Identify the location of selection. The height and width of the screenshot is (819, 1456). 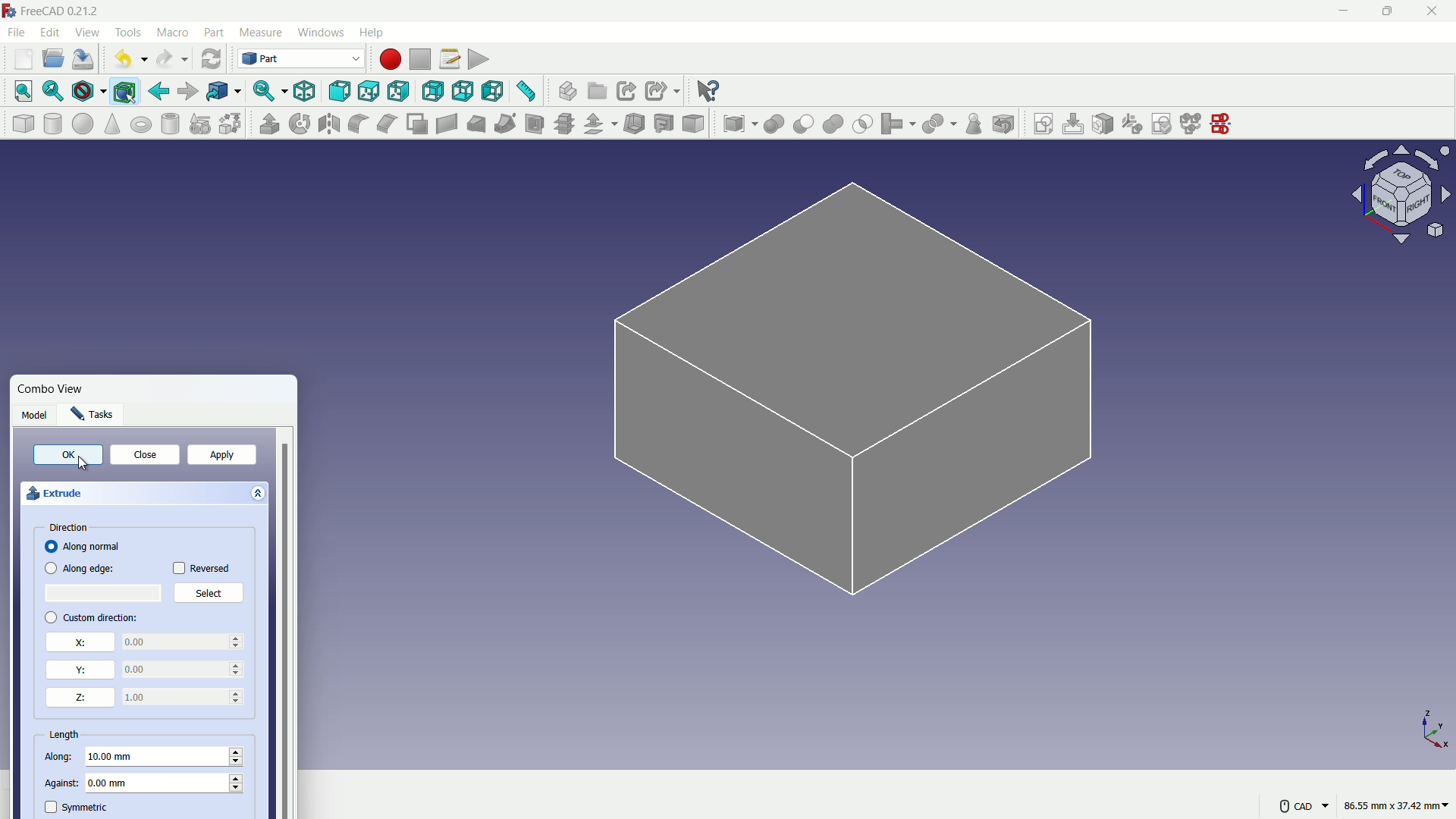
(863, 124).